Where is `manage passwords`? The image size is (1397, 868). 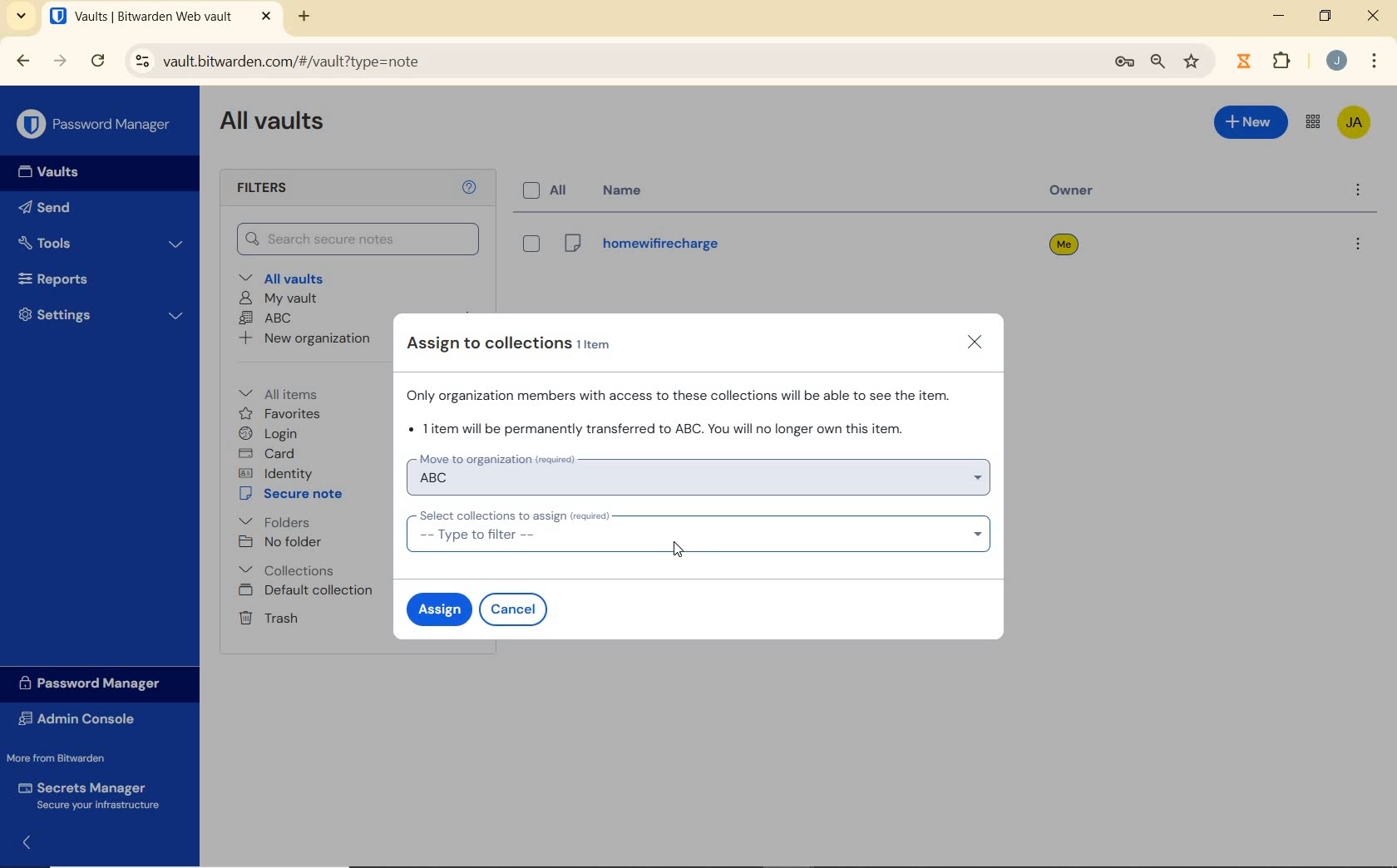 manage passwords is located at coordinates (1124, 65).